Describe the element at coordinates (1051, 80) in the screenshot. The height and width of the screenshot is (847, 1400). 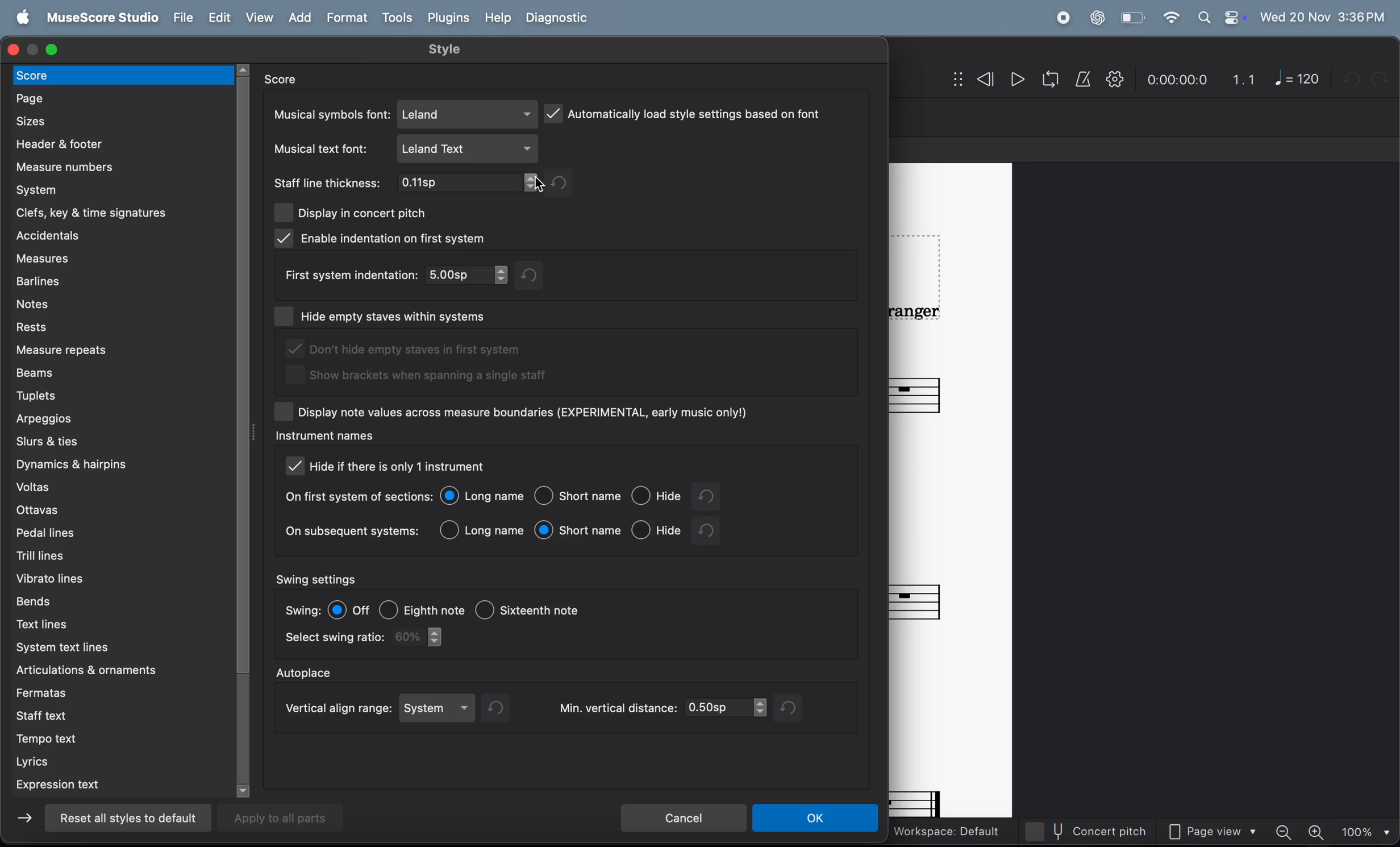
I see `loop play back` at that location.